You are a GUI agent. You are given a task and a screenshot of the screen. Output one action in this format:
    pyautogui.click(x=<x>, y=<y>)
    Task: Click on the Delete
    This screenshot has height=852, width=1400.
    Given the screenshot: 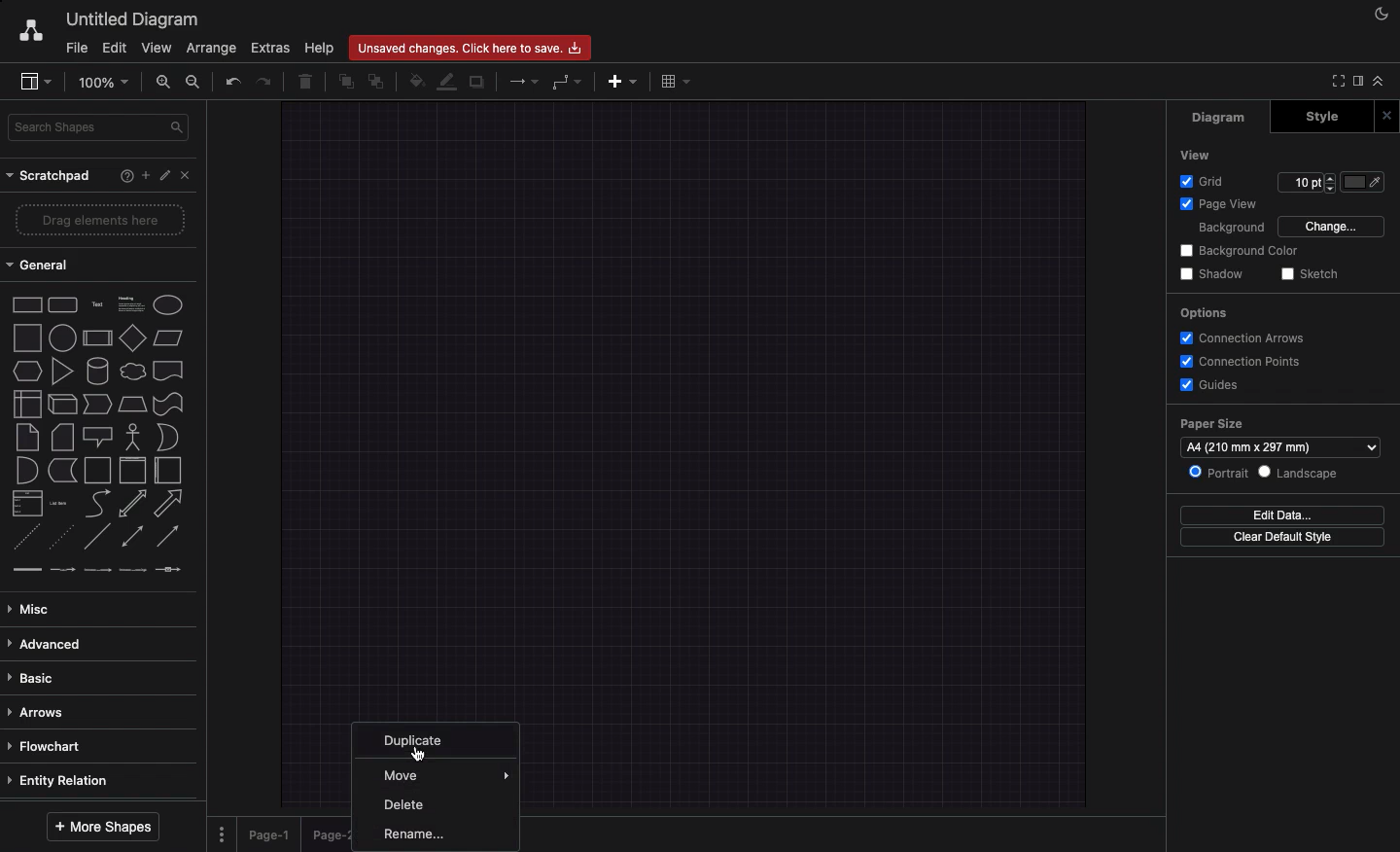 What is the action you would take?
    pyautogui.click(x=405, y=806)
    